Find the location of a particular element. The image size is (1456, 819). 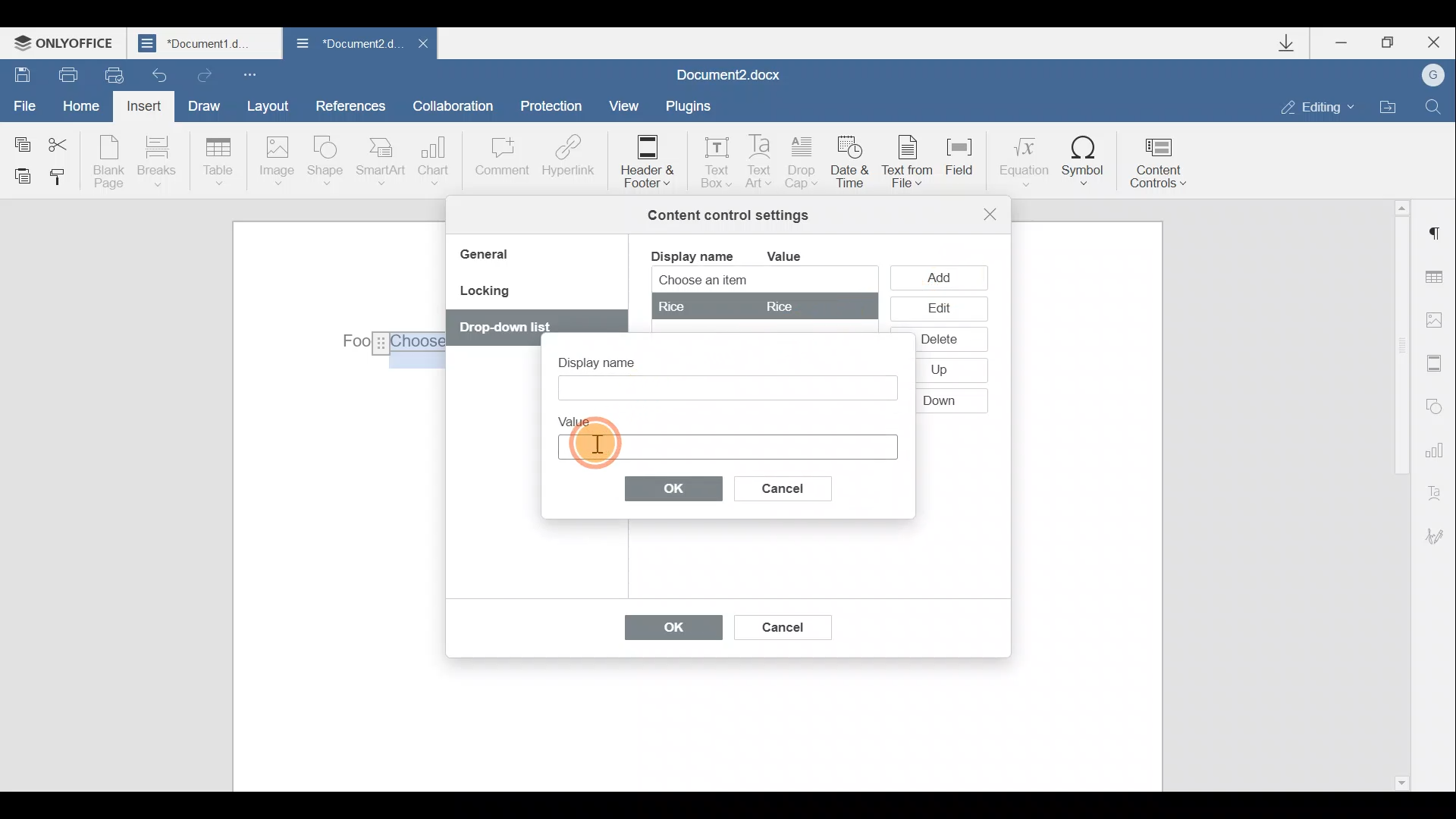

Print file is located at coordinates (60, 74).